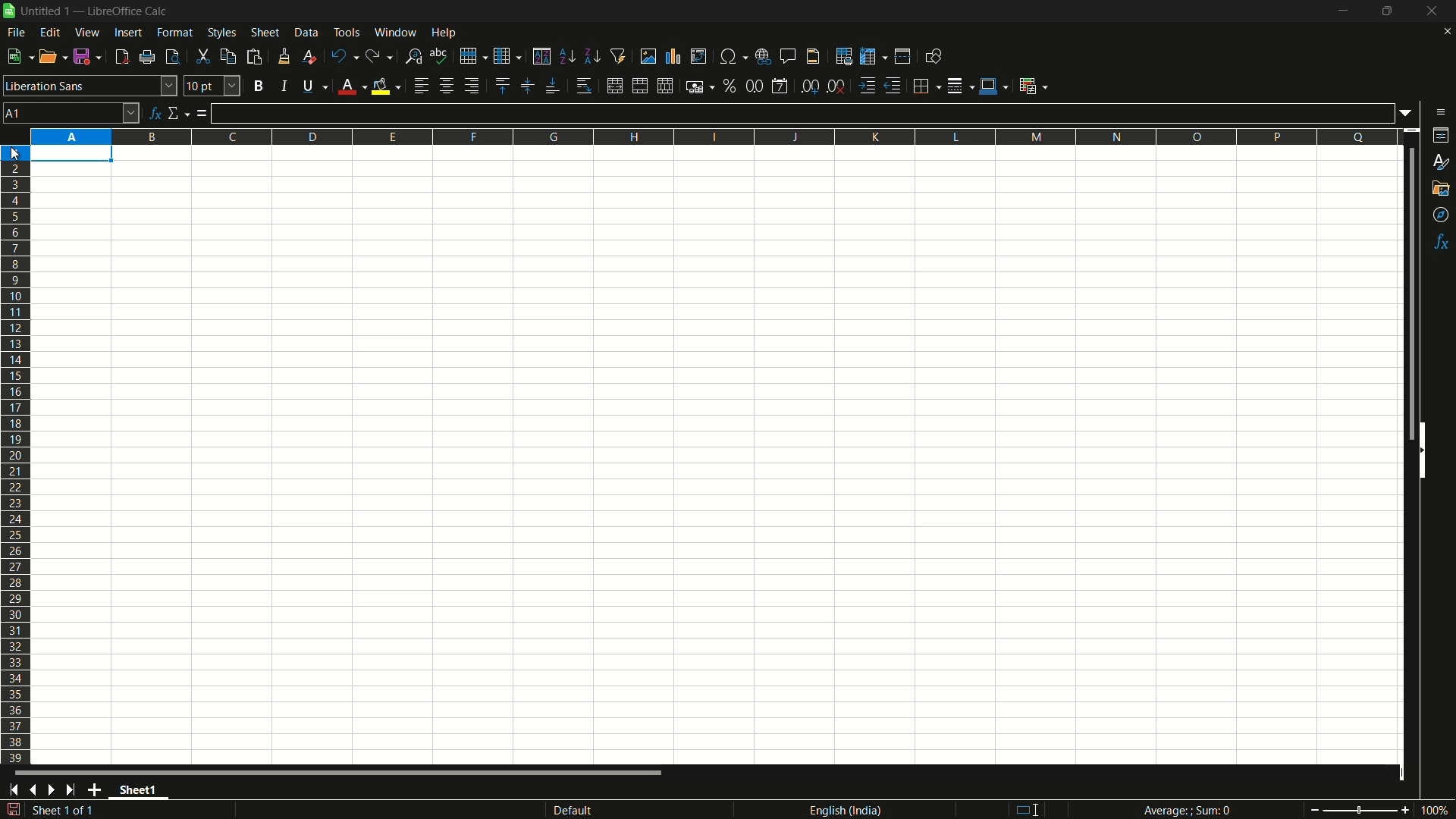 The image size is (1456, 819). Describe the element at coordinates (1359, 809) in the screenshot. I see `zoom slider` at that location.